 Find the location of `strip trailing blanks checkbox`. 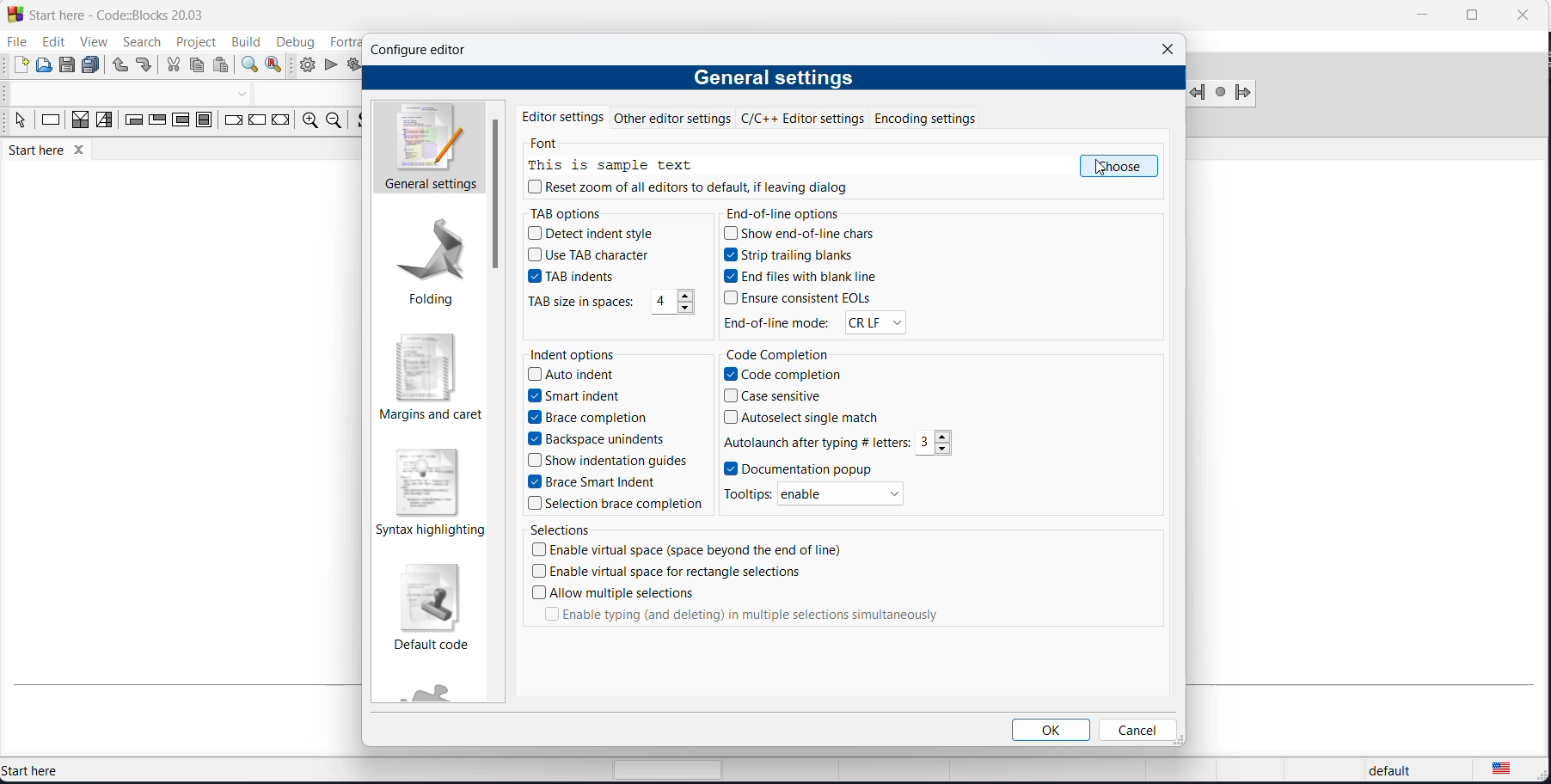

strip trailing blanks checkbox is located at coordinates (806, 258).